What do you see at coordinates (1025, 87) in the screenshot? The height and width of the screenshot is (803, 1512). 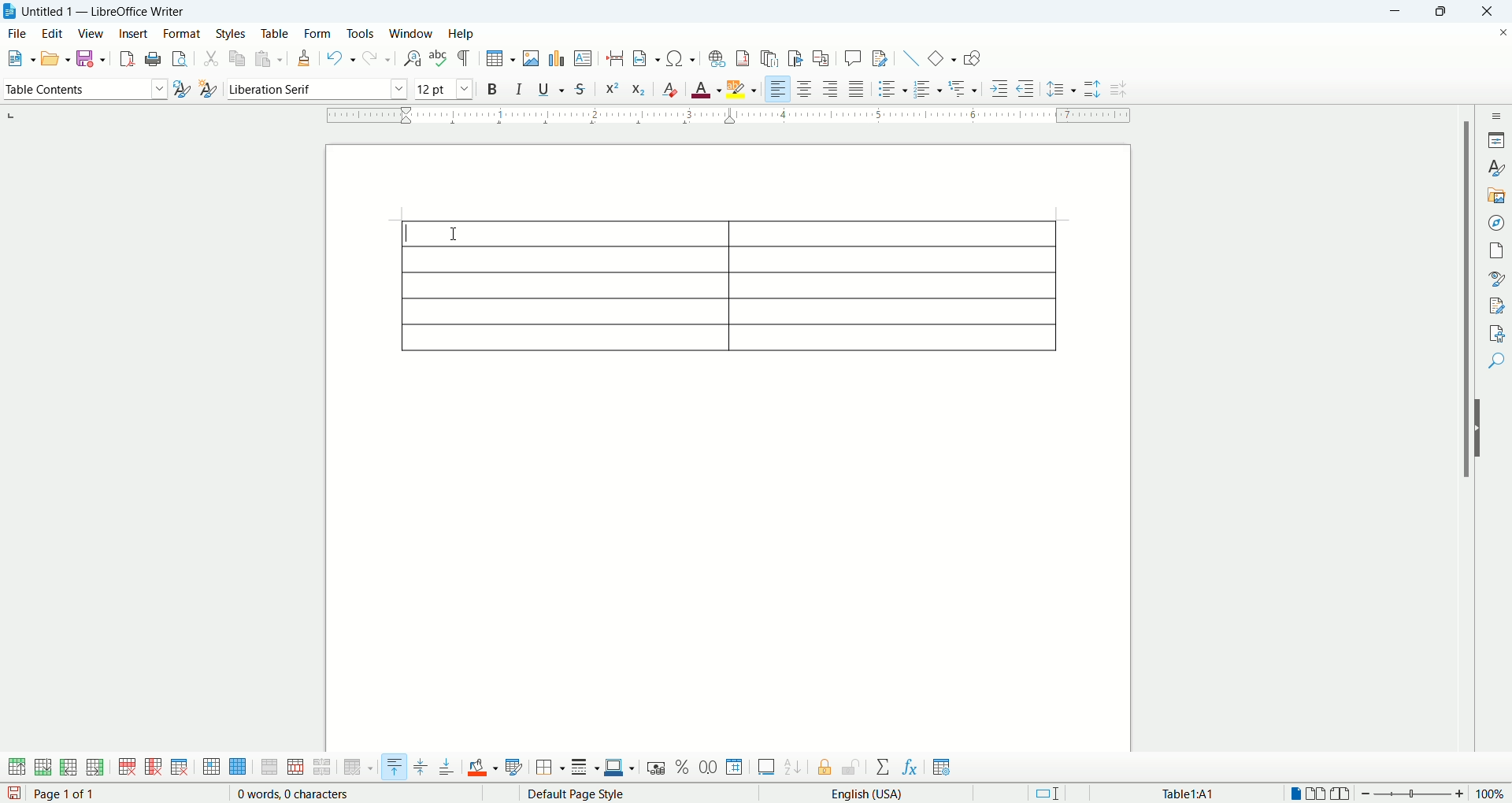 I see `decrease indent` at bounding box center [1025, 87].